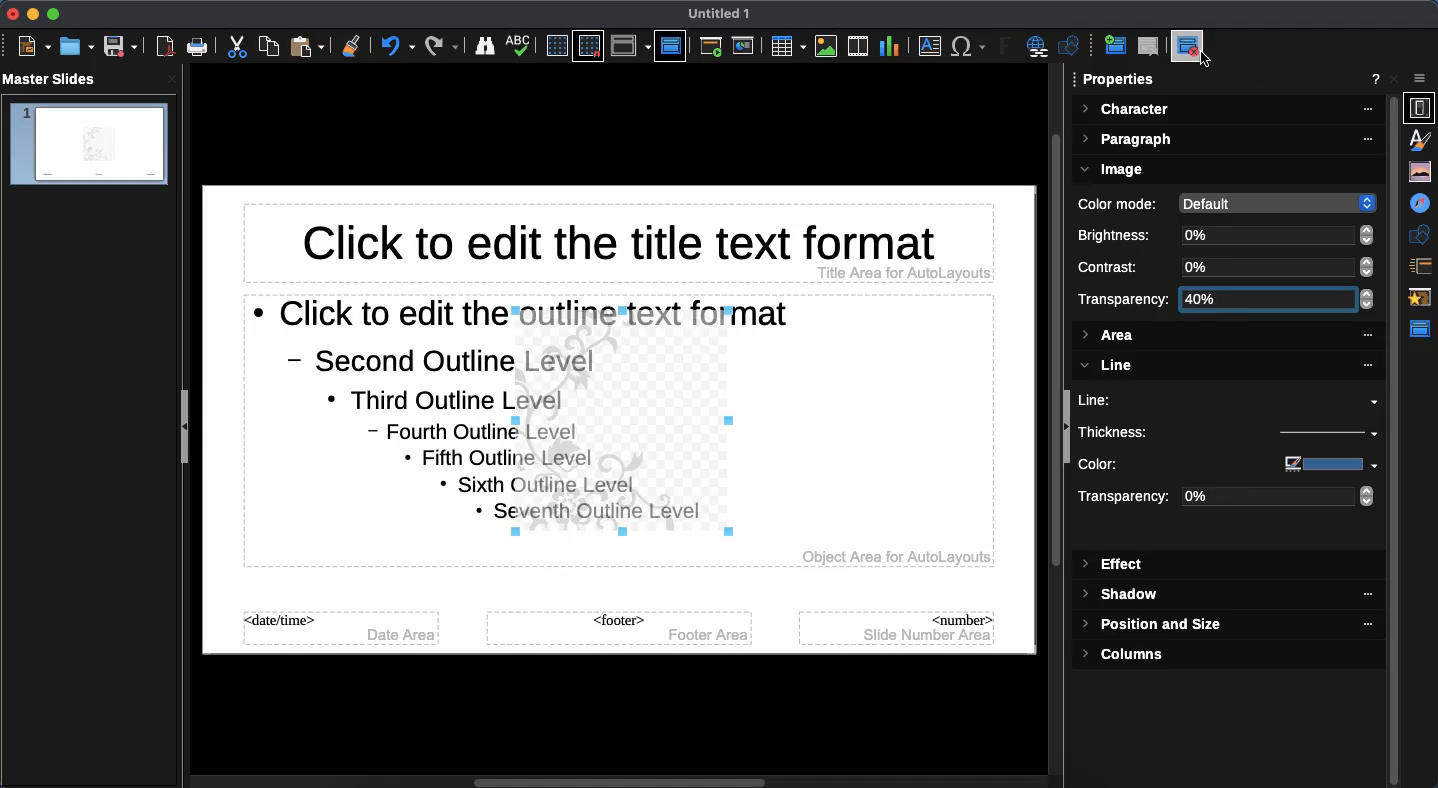 This screenshot has height=788, width=1438. Describe the element at coordinates (617, 629) in the screenshot. I see `Master slide footer` at that location.